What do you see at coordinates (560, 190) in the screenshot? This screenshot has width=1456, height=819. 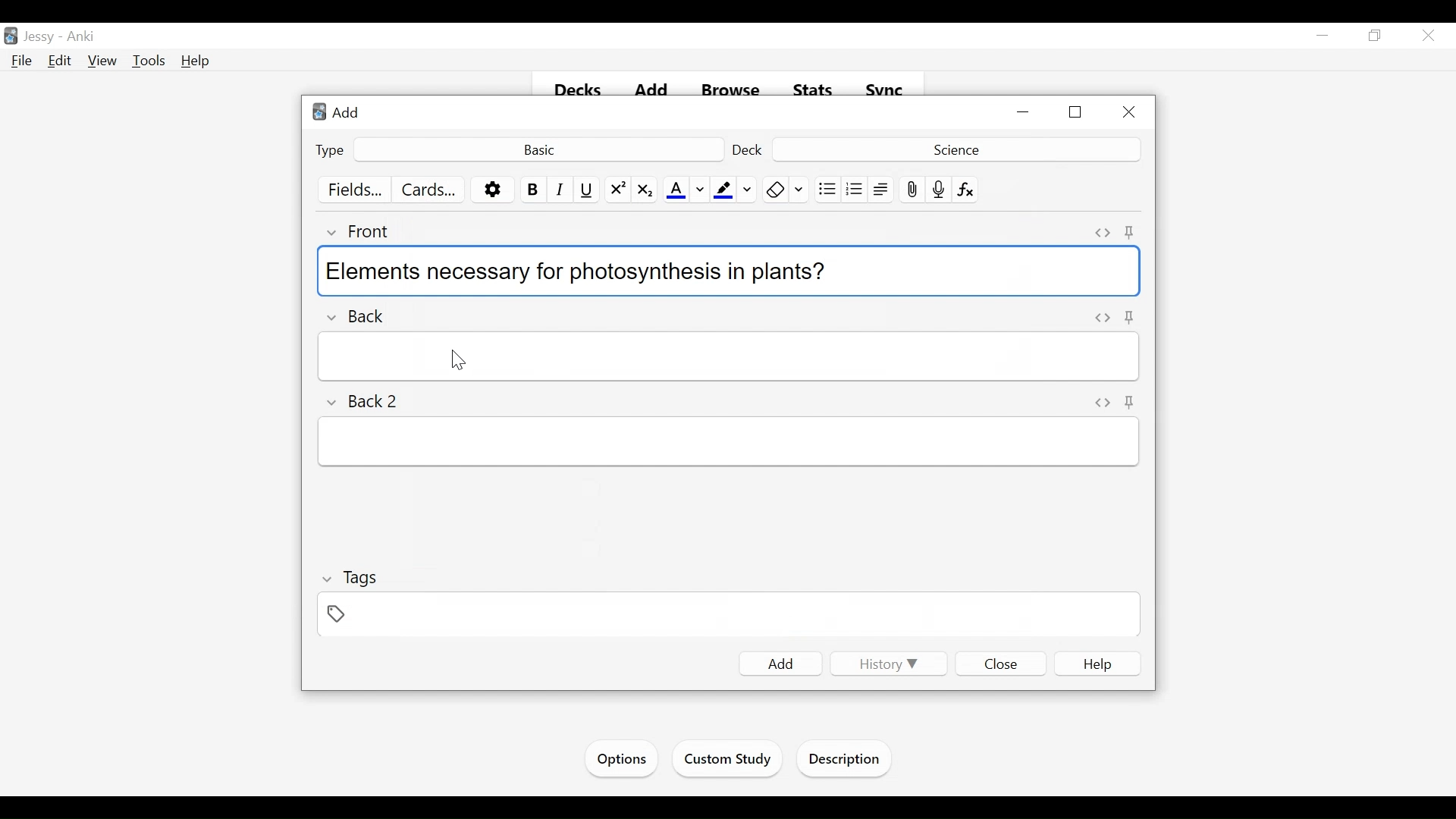 I see `Italics` at bounding box center [560, 190].